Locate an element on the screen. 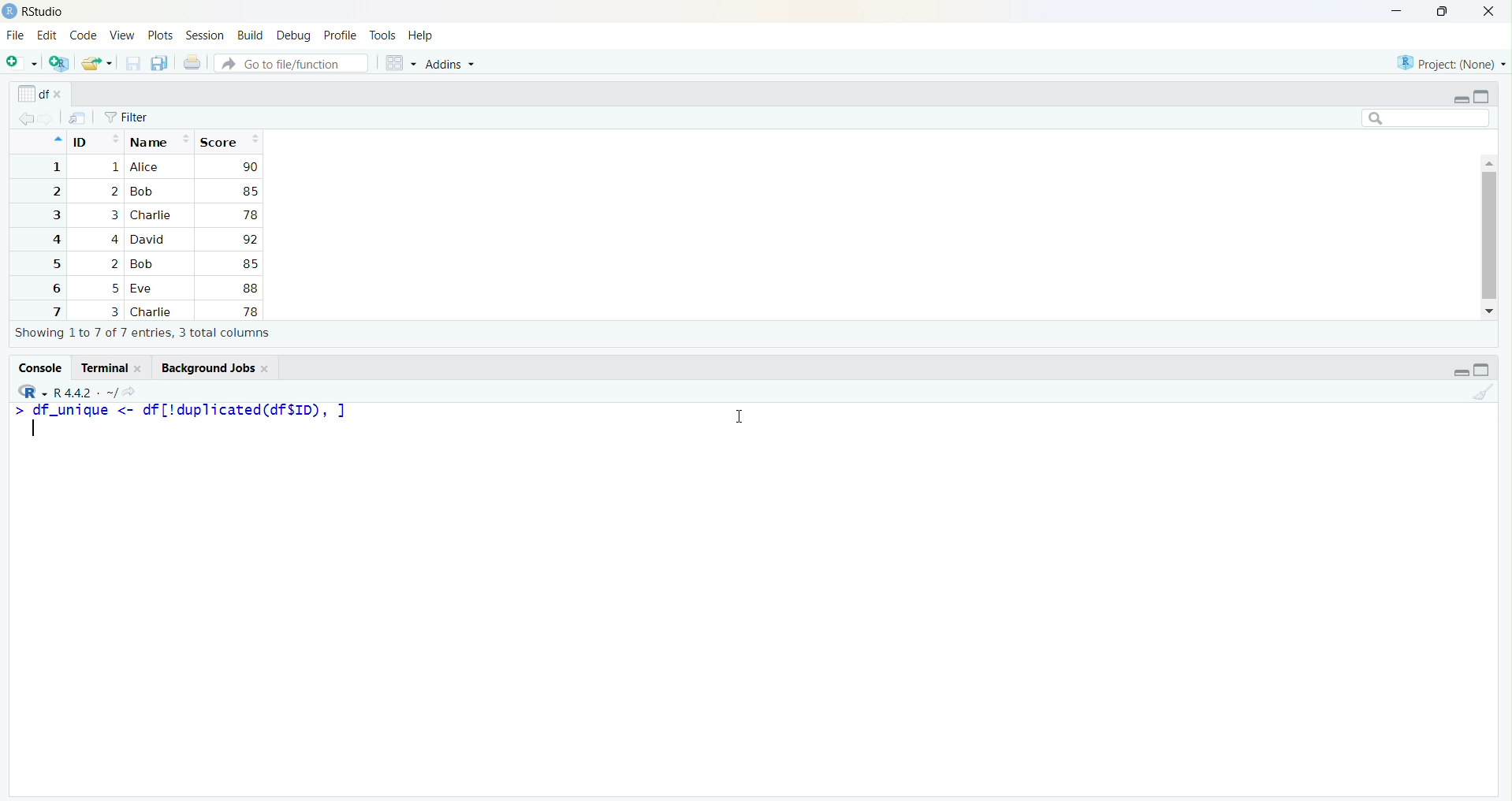 The height and width of the screenshot is (801, 1512). View is located at coordinates (122, 37).